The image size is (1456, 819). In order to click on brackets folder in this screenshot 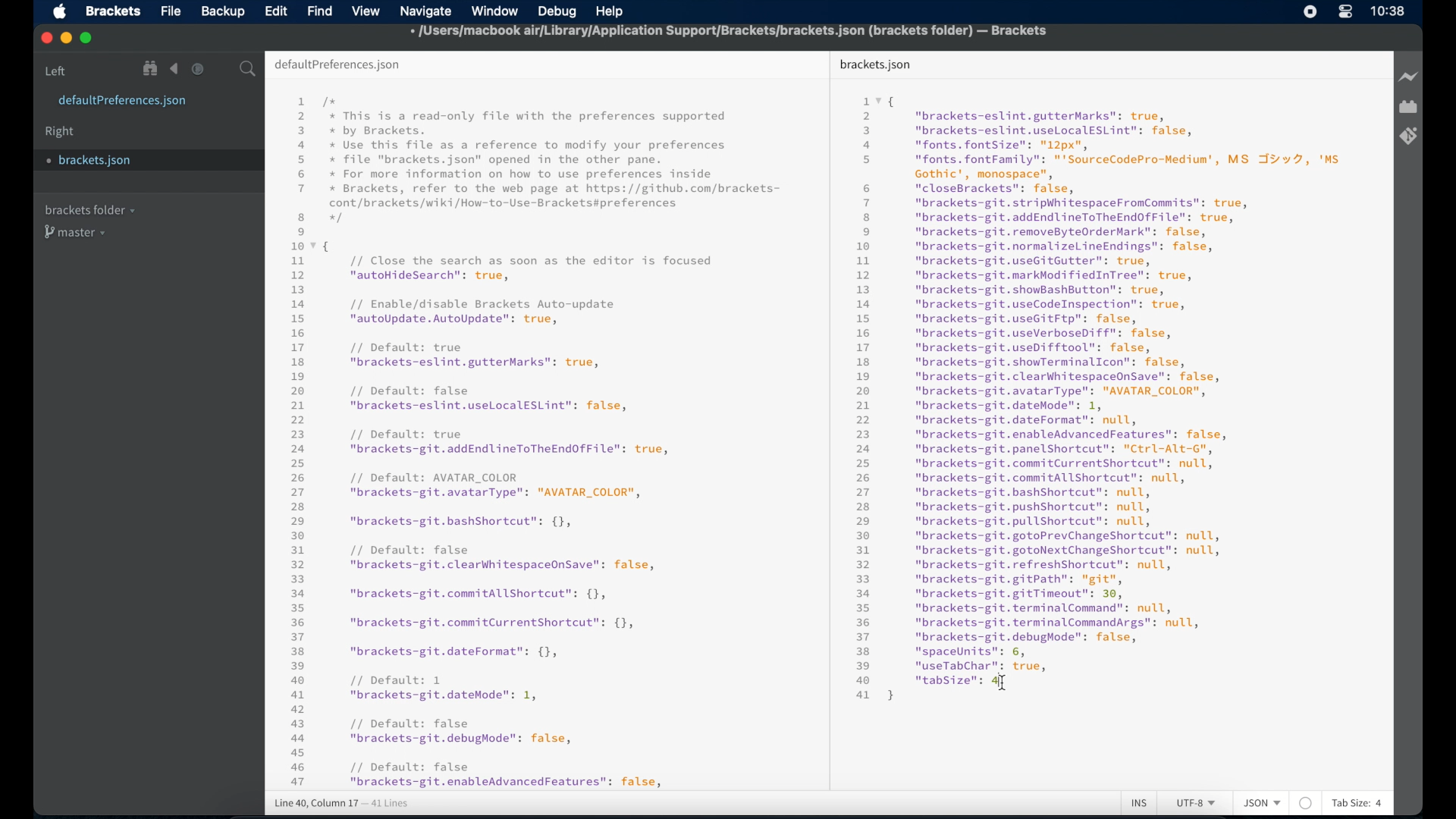, I will do `click(89, 209)`.